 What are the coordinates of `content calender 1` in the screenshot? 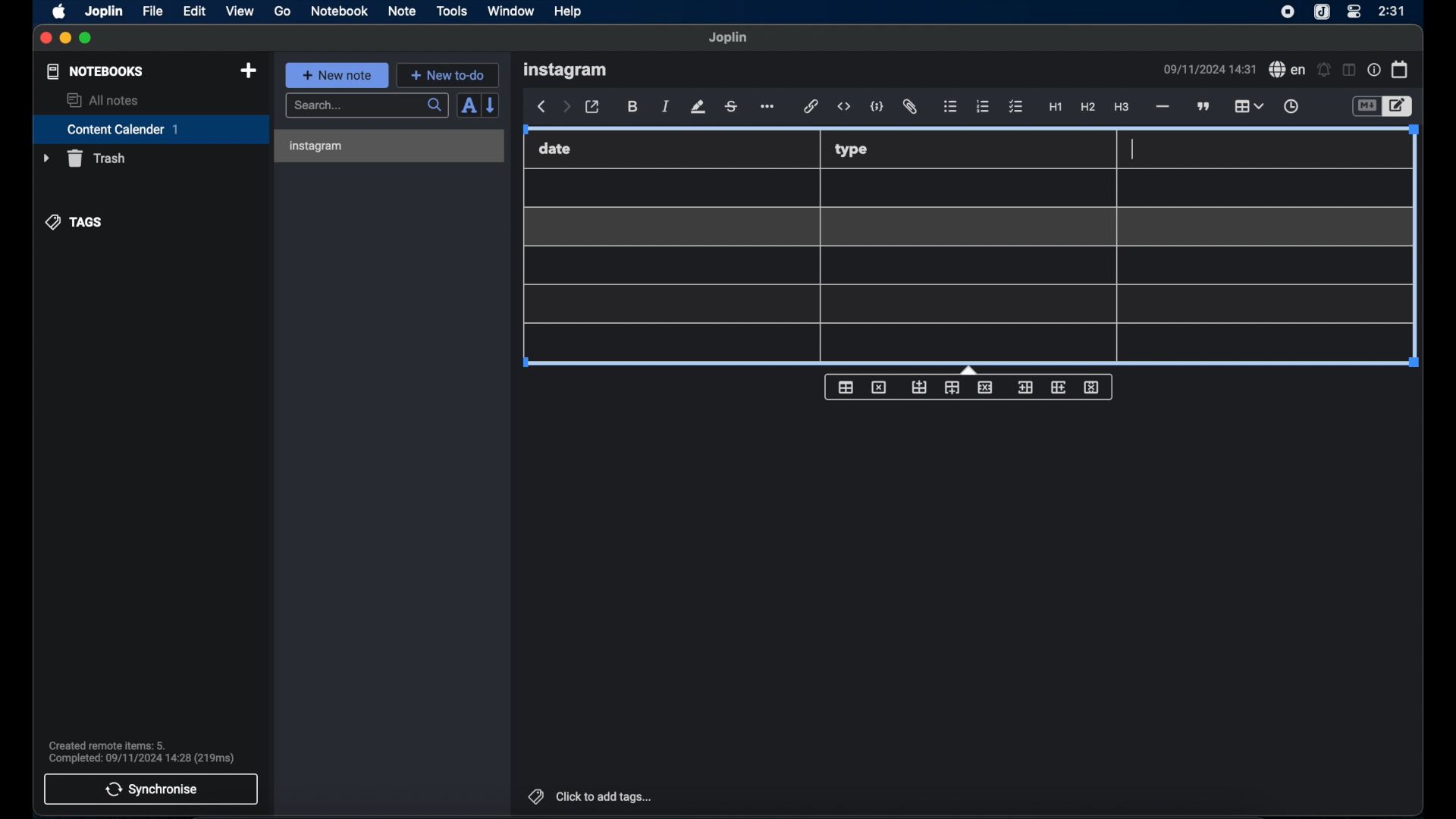 It's located at (151, 129).